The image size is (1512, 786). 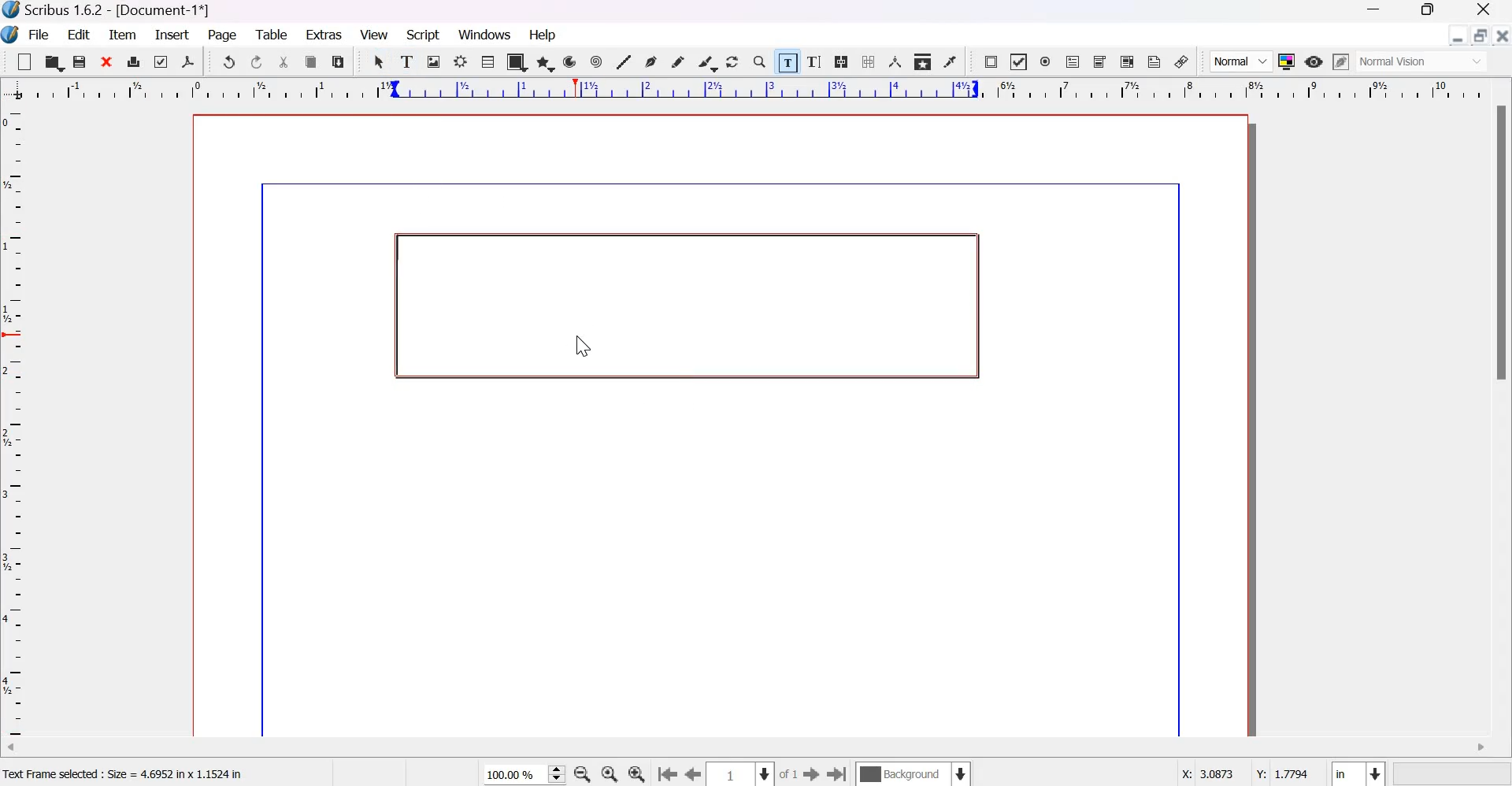 I want to click on edit text with story editor, so click(x=814, y=61).